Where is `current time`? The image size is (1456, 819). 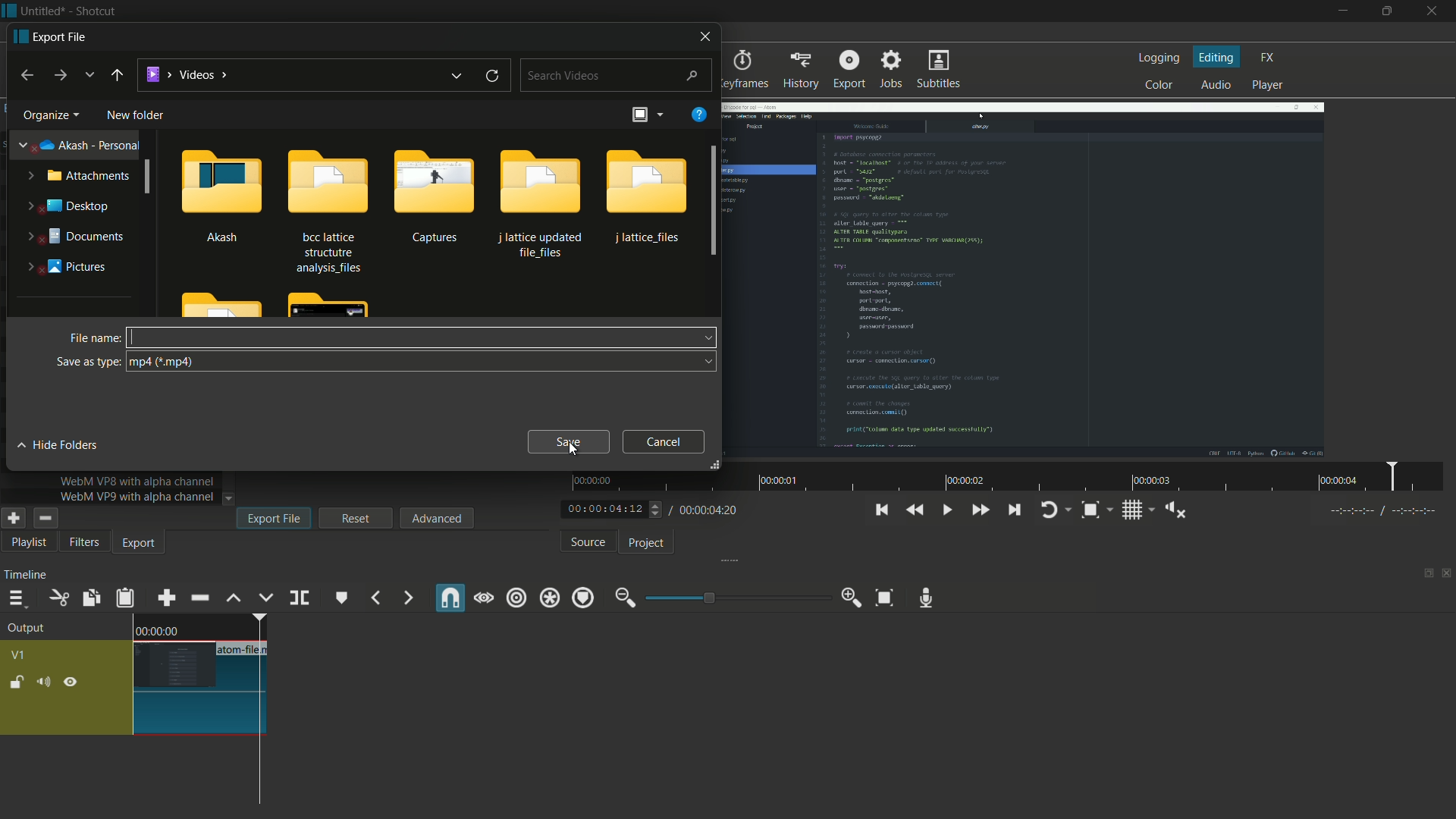
current time is located at coordinates (602, 509).